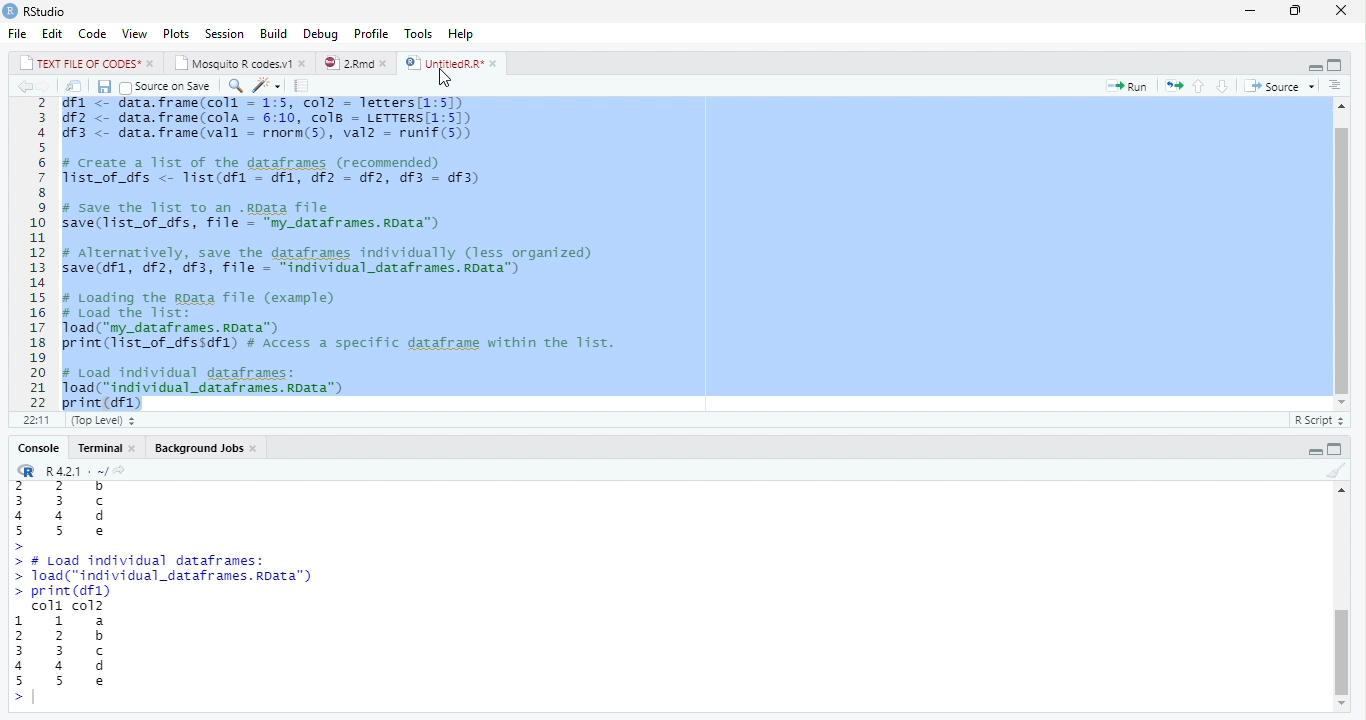 This screenshot has height=720, width=1366. What do you see at coordinates (1223, 87) in the screenshot?
I see `Go to next section` at bounding box center [1223, 87].